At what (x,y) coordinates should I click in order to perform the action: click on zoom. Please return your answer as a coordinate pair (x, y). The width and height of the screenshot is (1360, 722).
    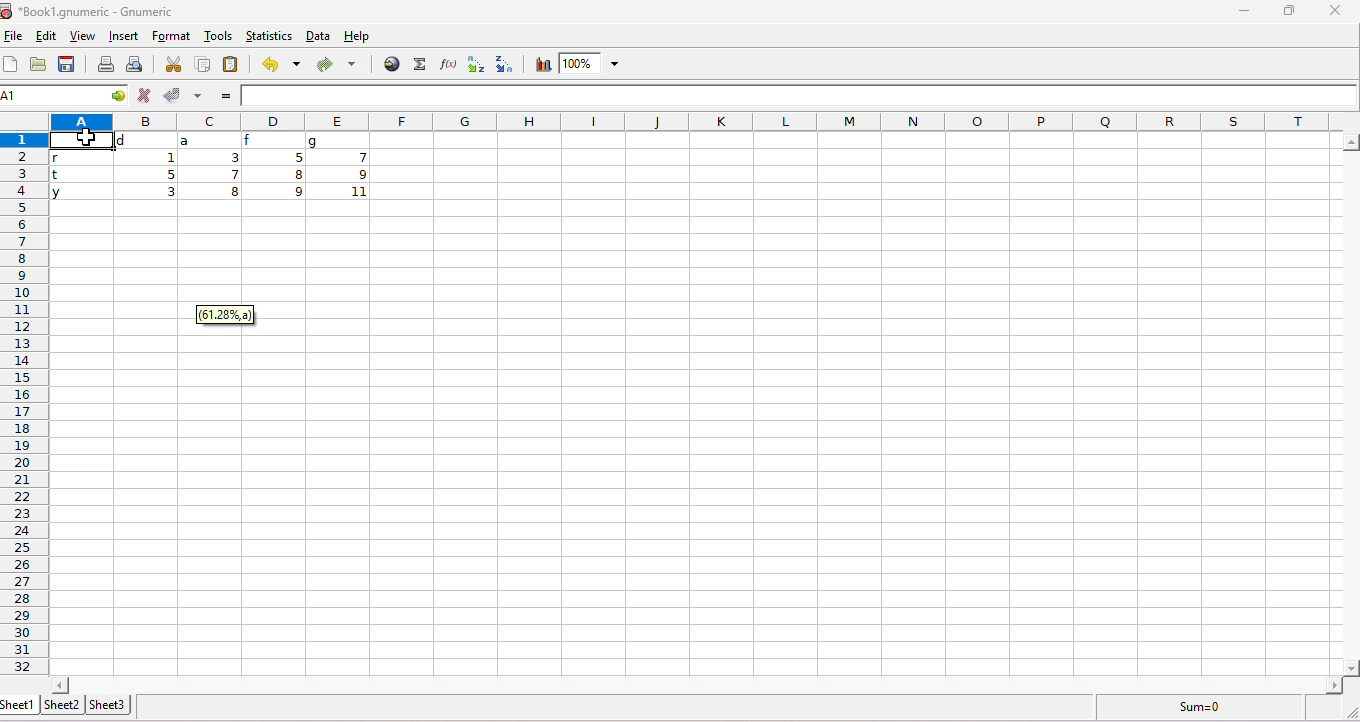
    Looking at the image, I should click on (592, 64).